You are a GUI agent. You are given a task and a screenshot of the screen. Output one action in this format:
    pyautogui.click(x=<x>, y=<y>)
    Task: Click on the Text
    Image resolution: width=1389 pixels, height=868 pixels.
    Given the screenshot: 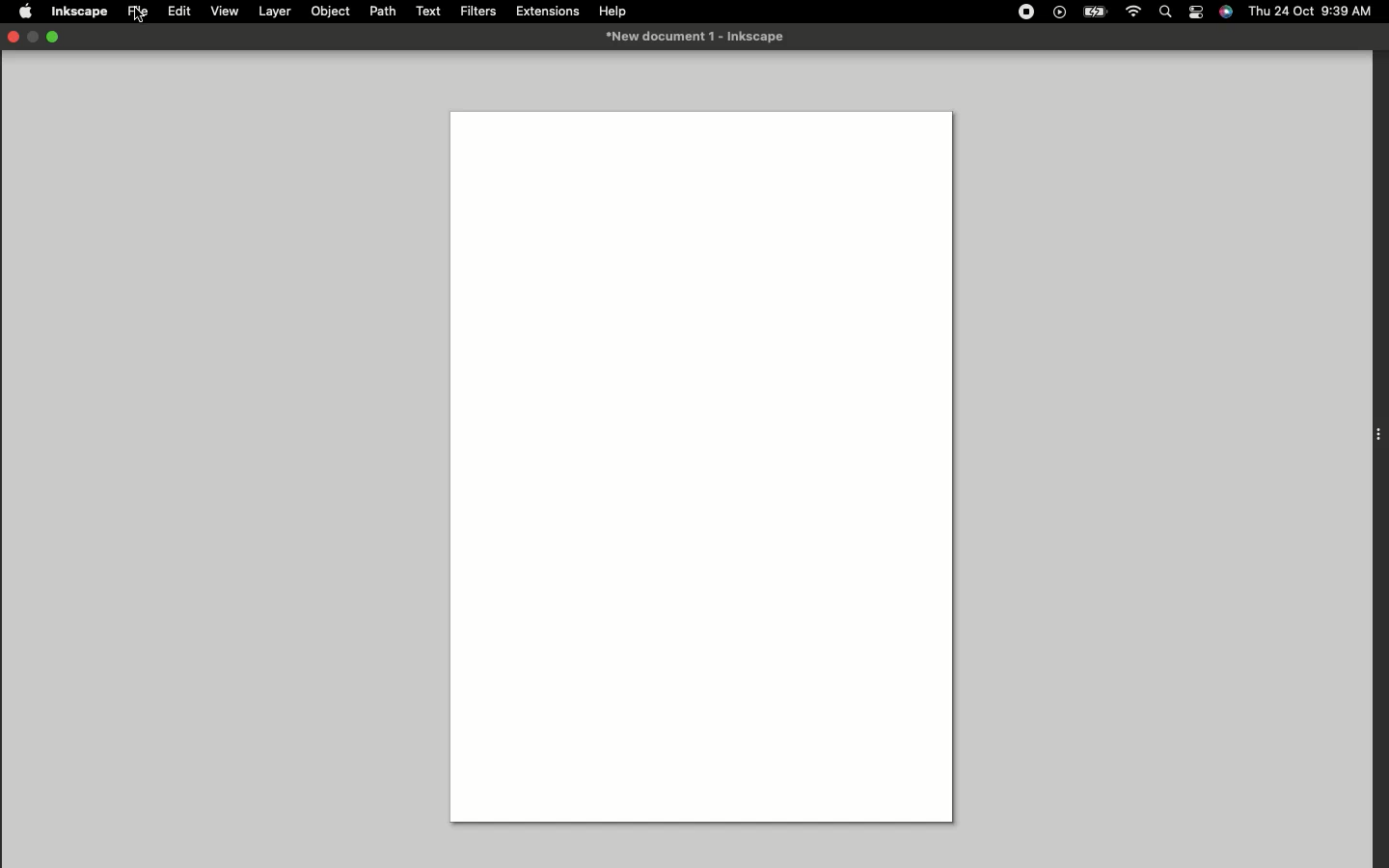 What is the action you would take?
    pyautogui.click(x=426, y=12)
    